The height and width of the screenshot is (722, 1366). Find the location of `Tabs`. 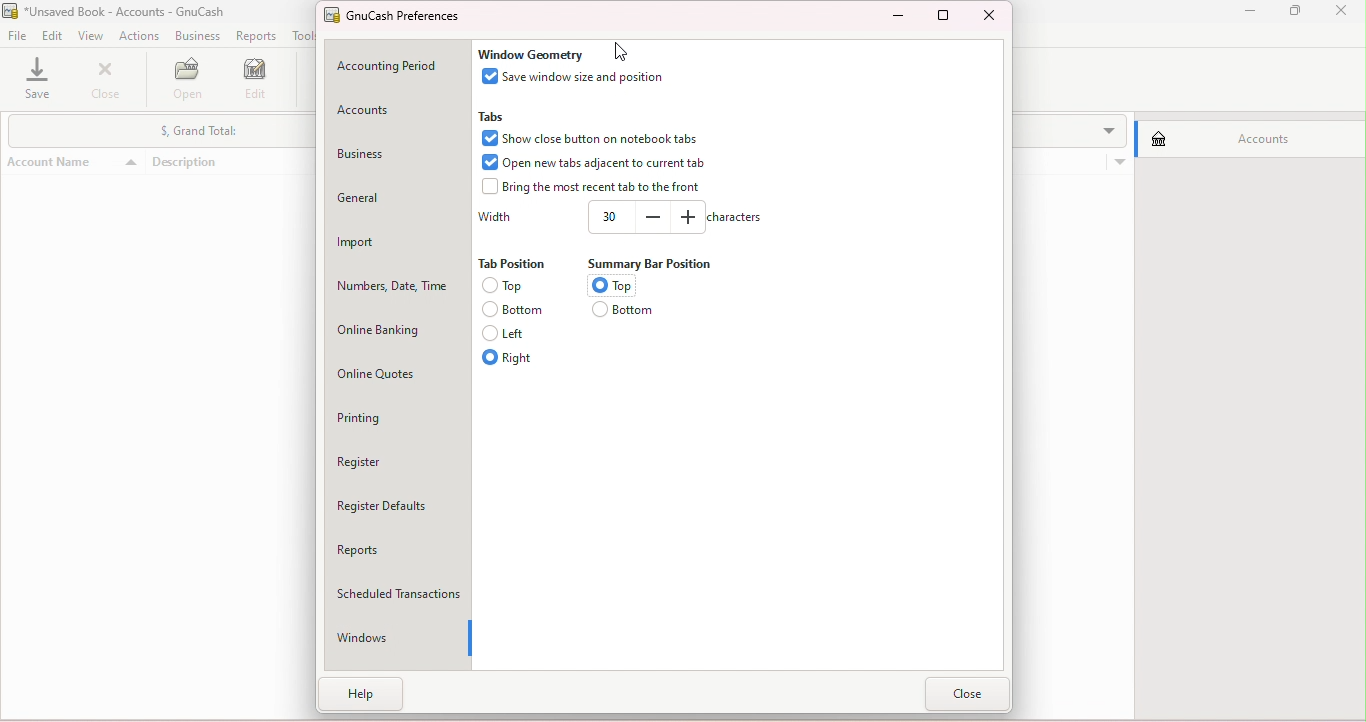

Tabs is located at coordinates (492, 115).